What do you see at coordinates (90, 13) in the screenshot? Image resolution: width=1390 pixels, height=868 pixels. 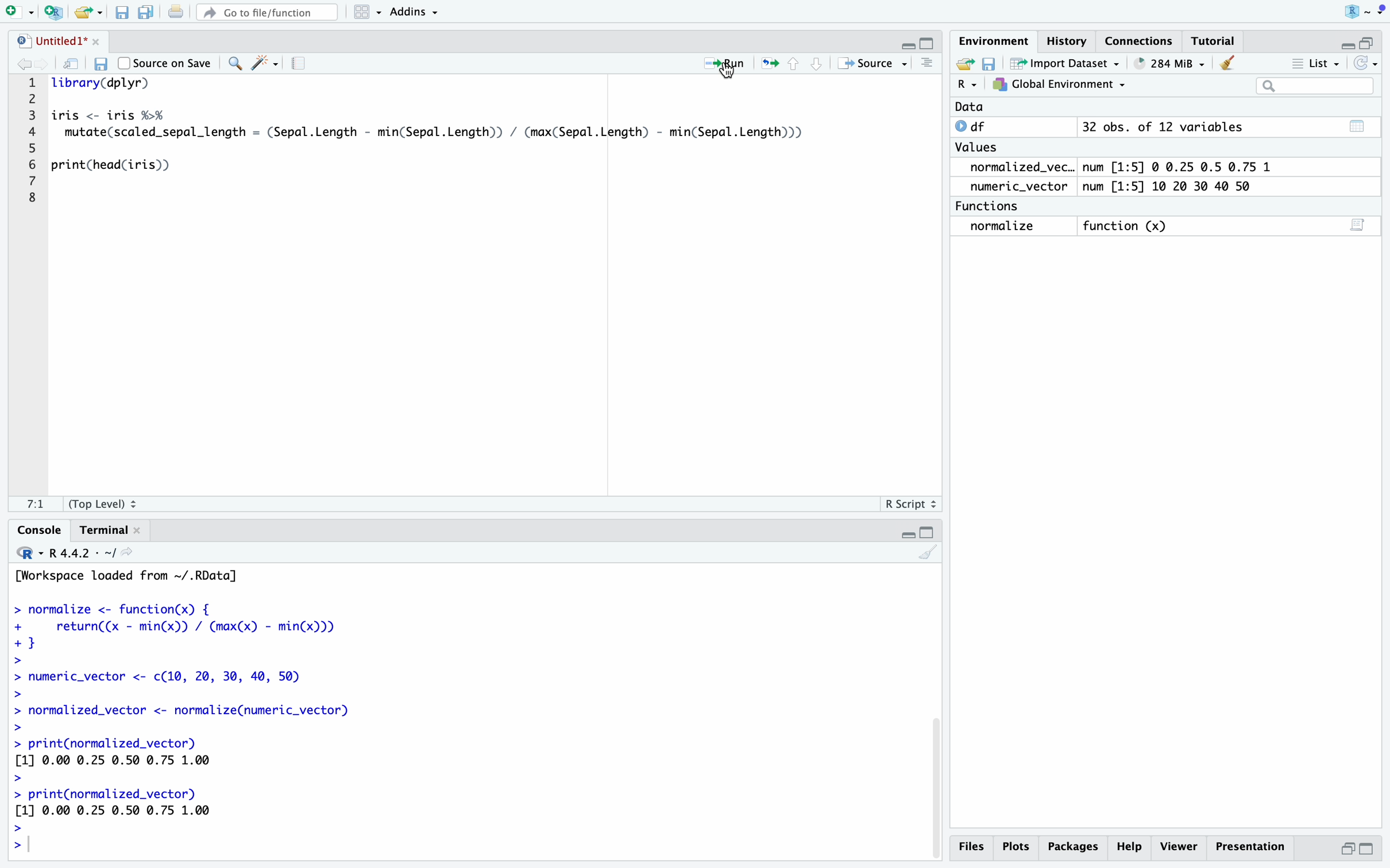 I see `Open` at bounding box center [90, 13].